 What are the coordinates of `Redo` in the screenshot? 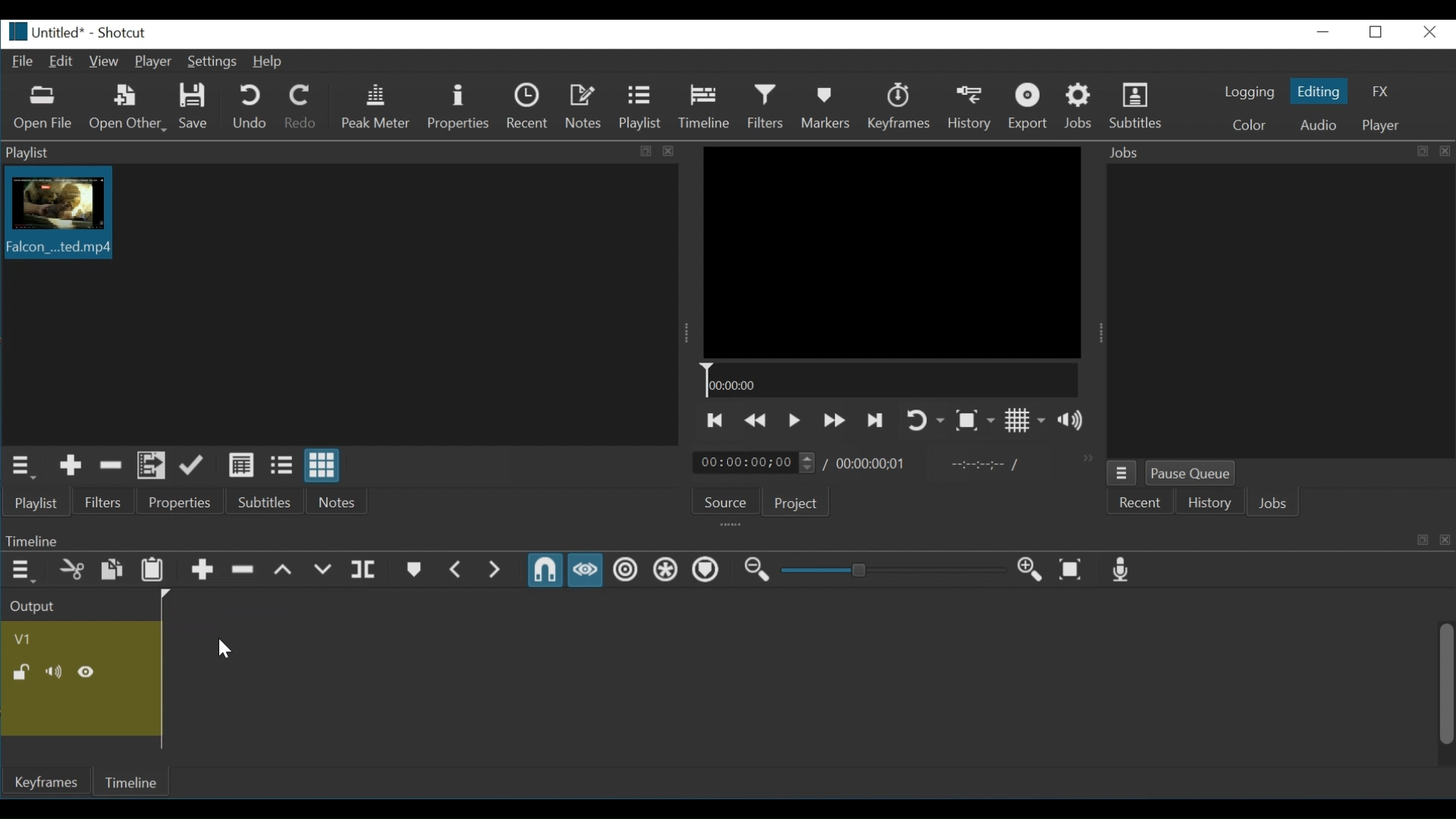 It's located at (301, 106).